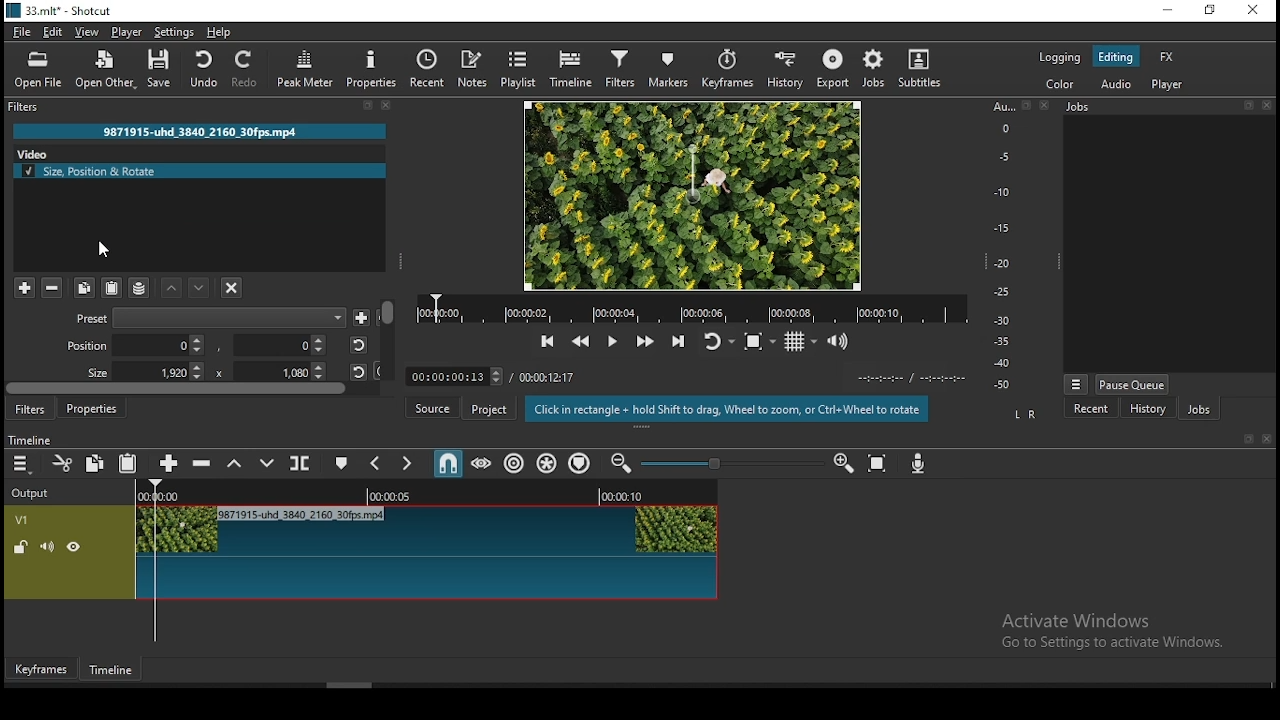 This screenshot has height=720, width=1280. What do you see at coordinates (37, 74) in the screenshot?
I see `open file` at bounding box center [37, 74].